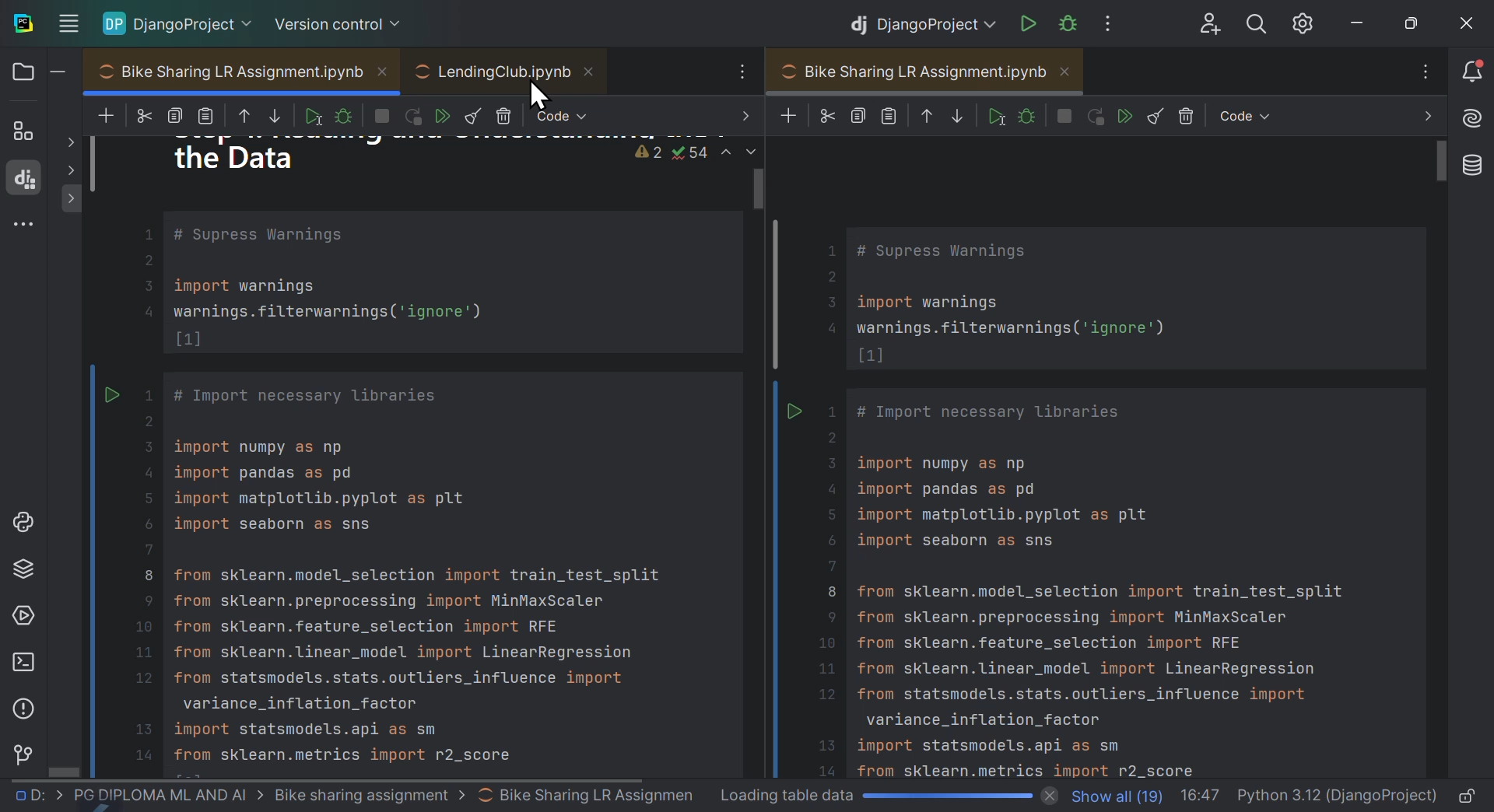 The height and width of the screenshot is (812, 1494). Describe the element at coordinates (381, 115) in the screenshot. I see `interrupt Kernel` at that location.